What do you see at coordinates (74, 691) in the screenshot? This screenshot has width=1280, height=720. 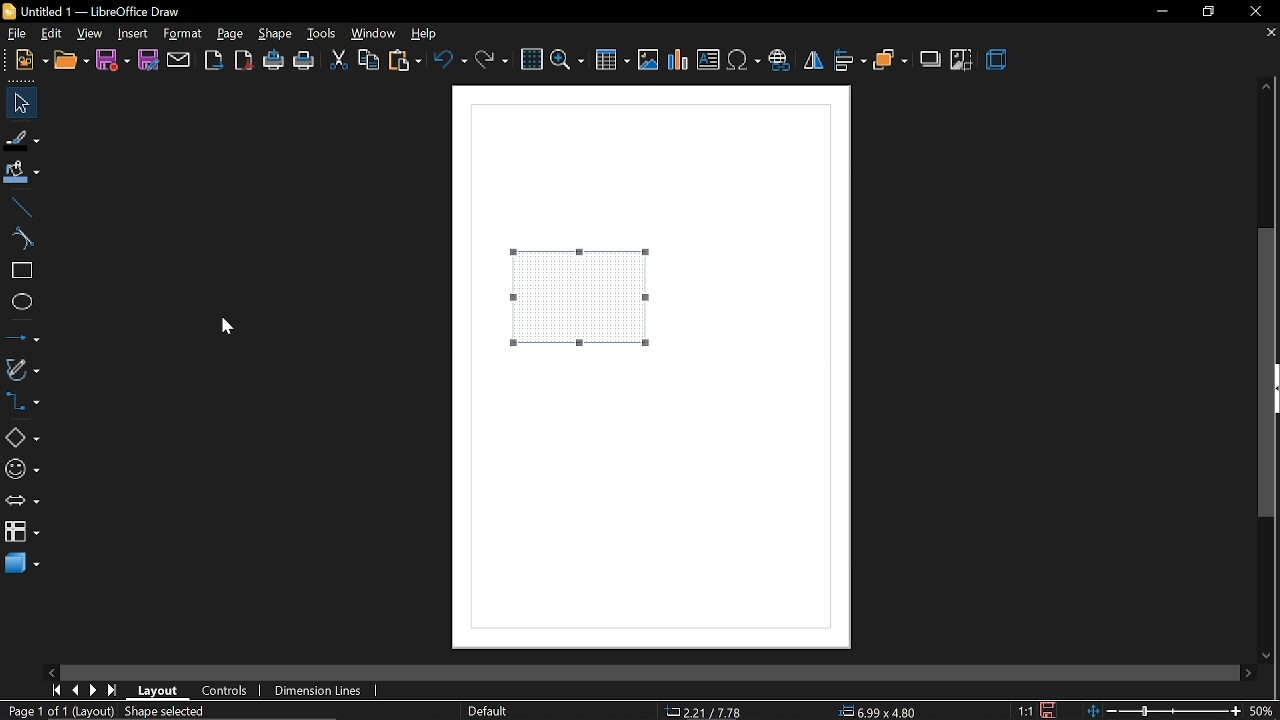 I see `previous page` at bounding box center [74, 691].